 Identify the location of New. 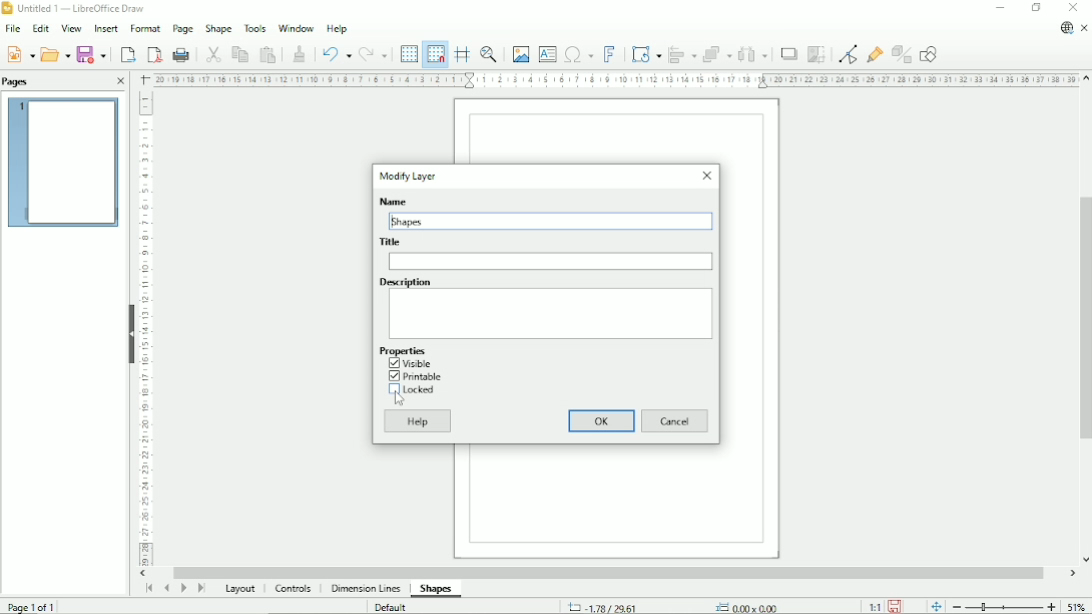
(22, 54).